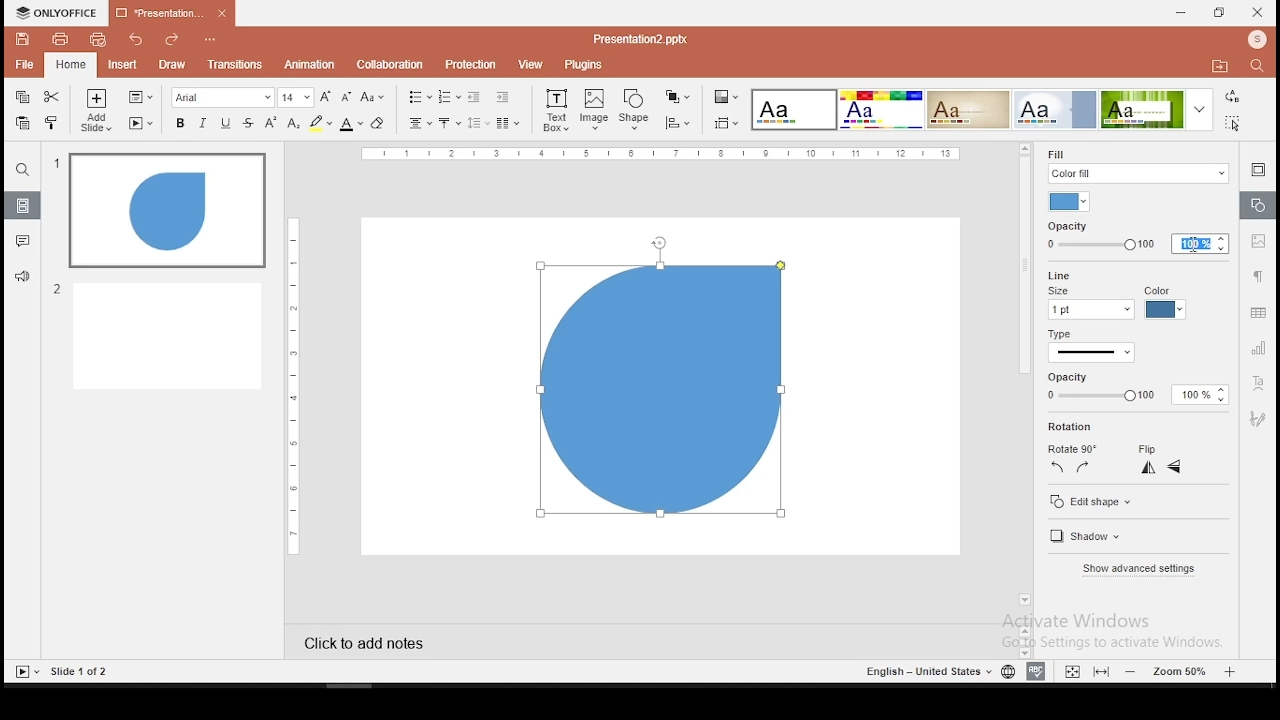 The image size is (1280, 720). Describe the element at coordinates (1181, 671) in the screenshot. I see `zoom level` at that location.